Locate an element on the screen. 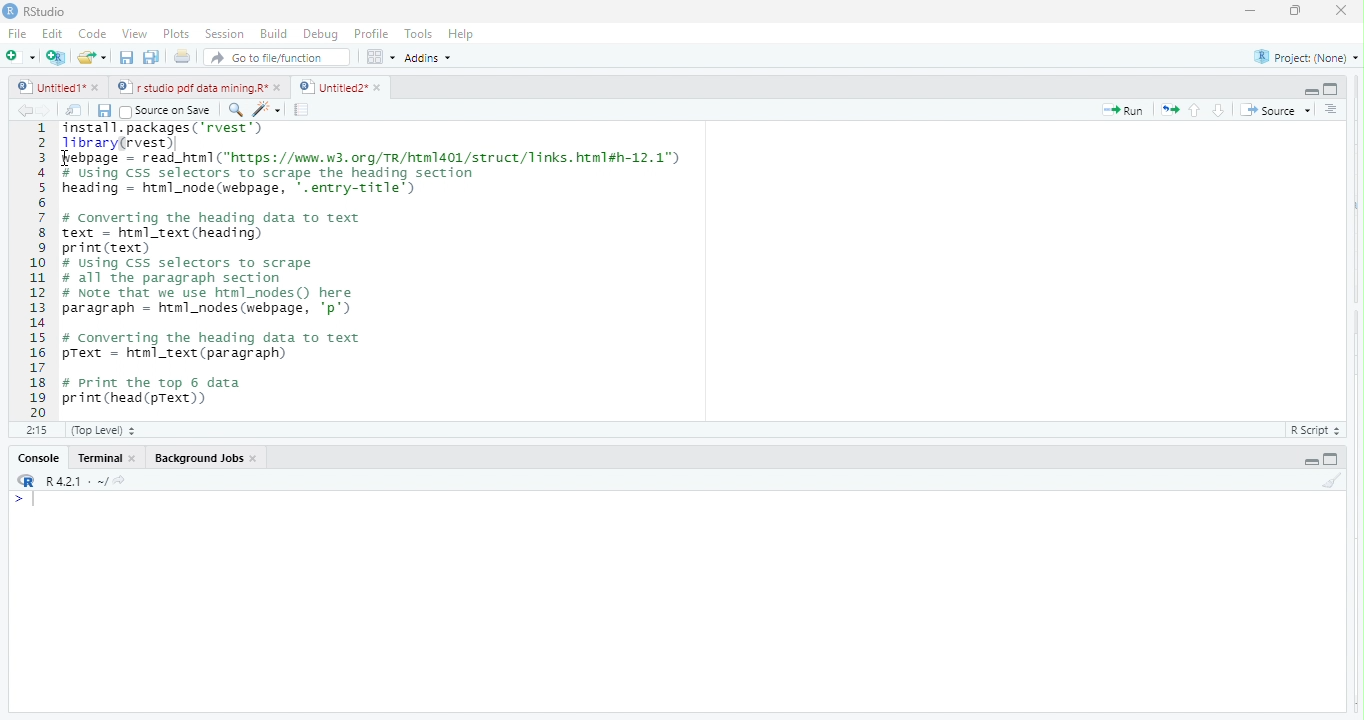  show document outline is located at coordinates (1332, 109).